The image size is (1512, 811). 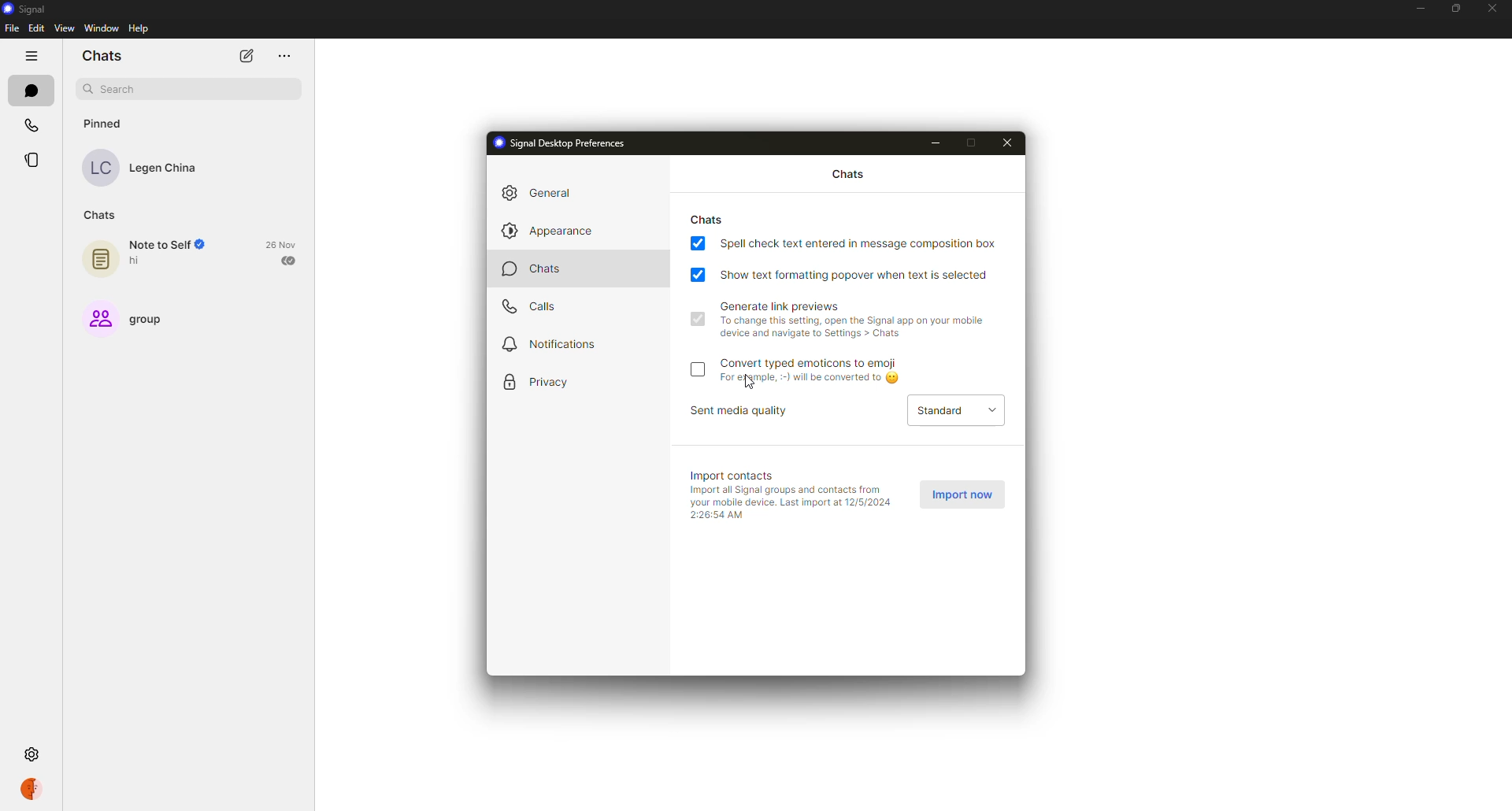 I want to click on file, so click(x=12, y=28).